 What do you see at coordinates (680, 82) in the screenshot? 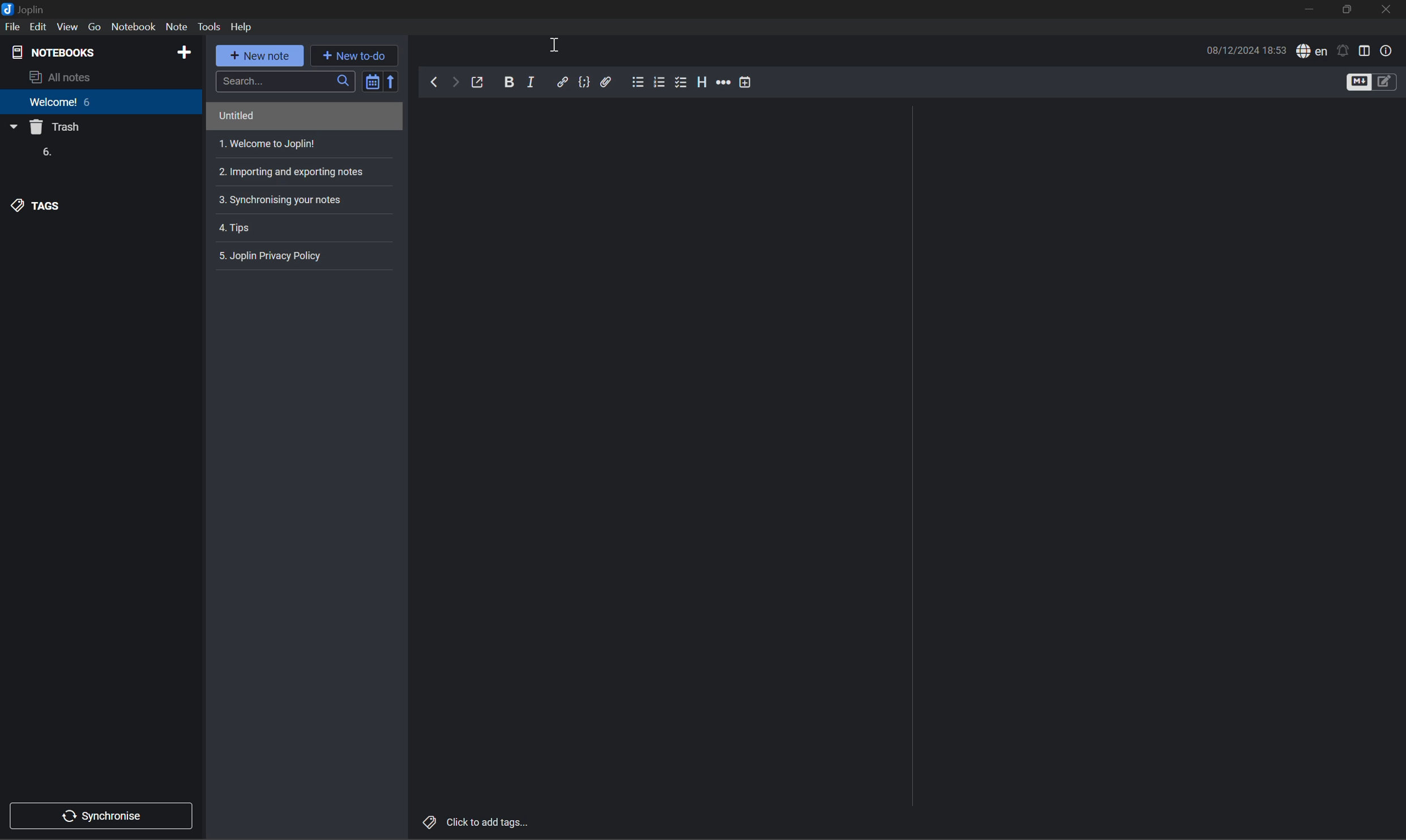
I see `Checkbox list` at bounding box center [680, 82].